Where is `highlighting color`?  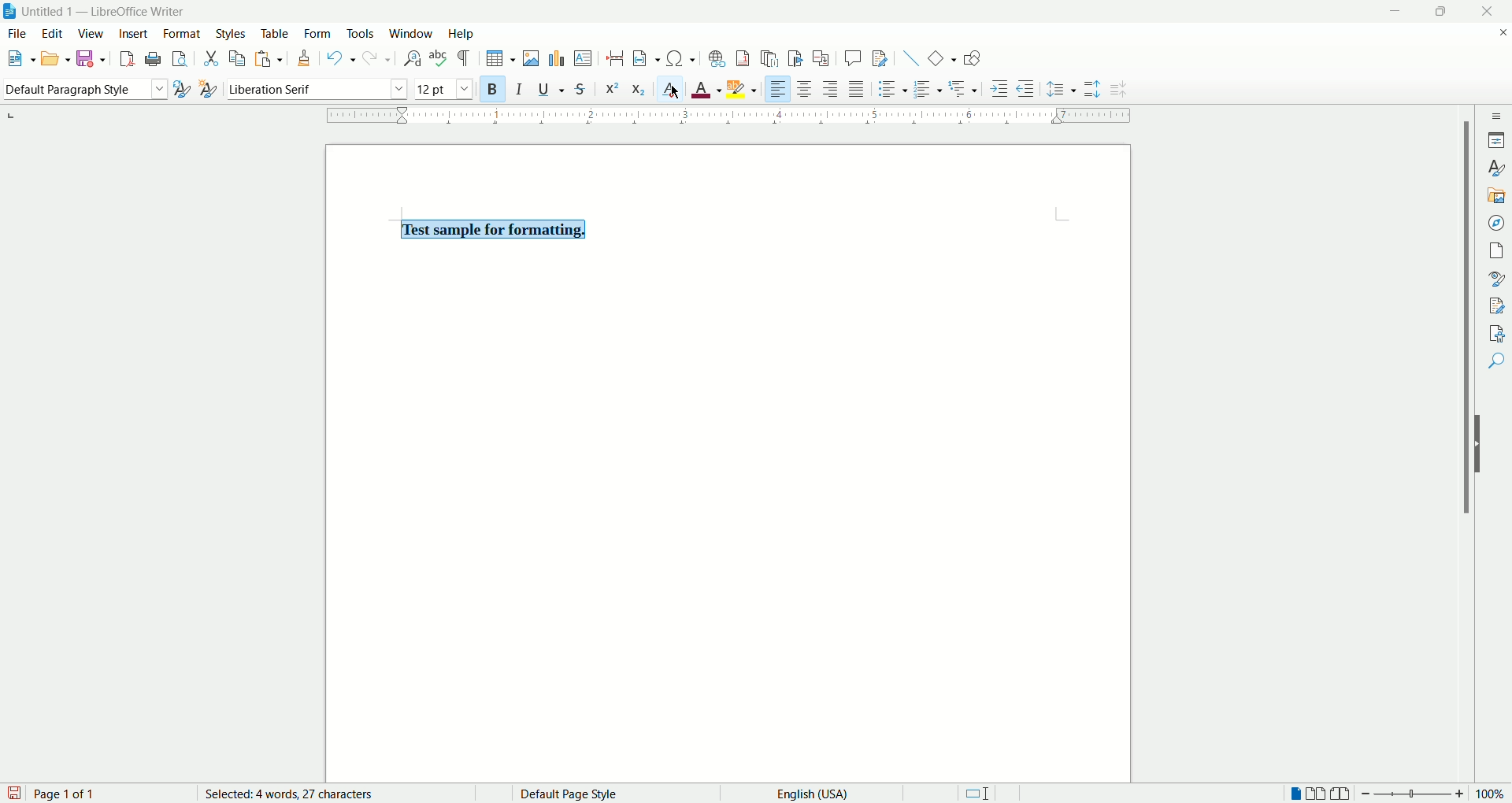 highlighting color is located at coordinates (743, 89).